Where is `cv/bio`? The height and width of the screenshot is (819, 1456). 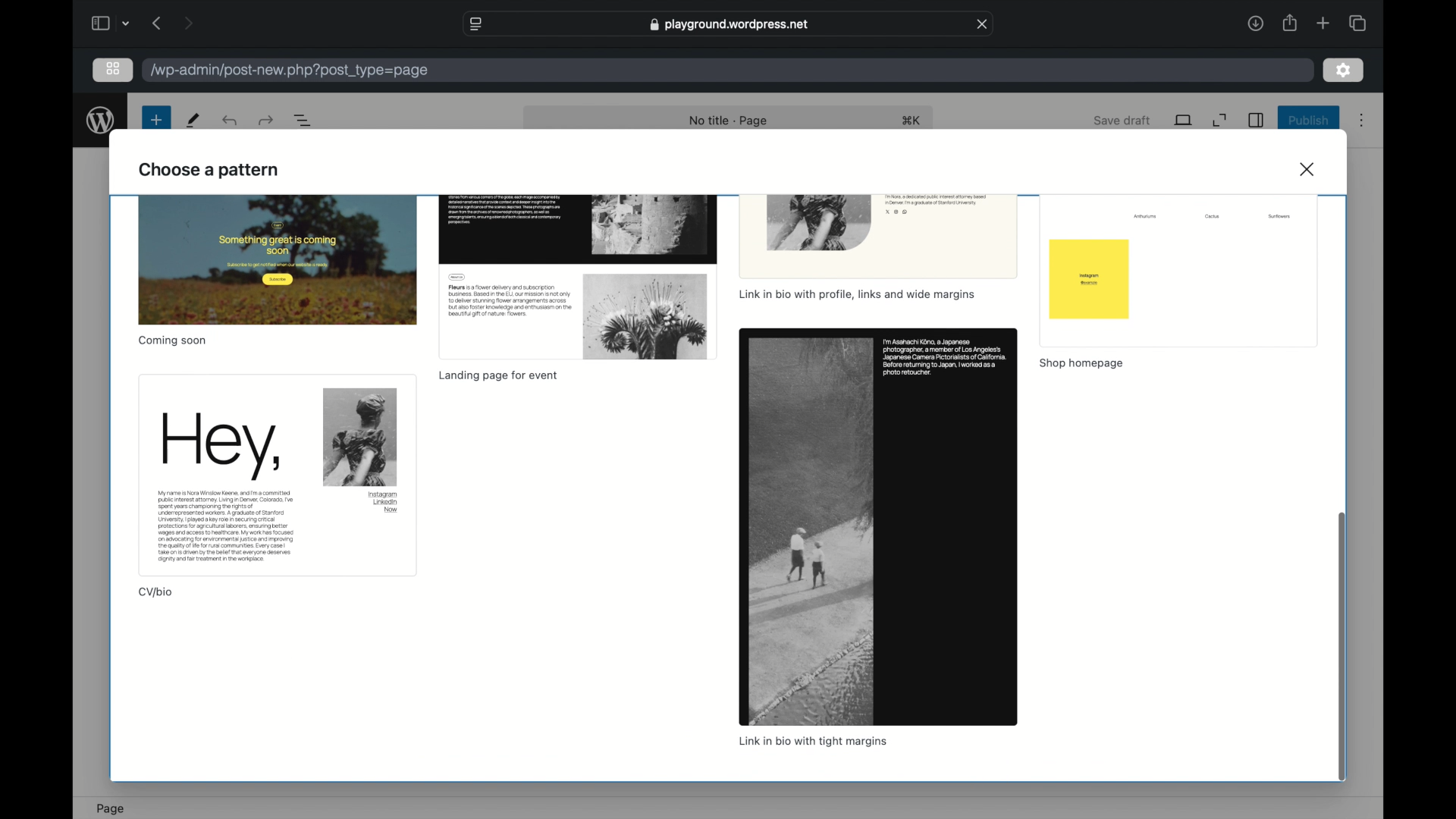 cv/bio is located at coordinates (156, 592).